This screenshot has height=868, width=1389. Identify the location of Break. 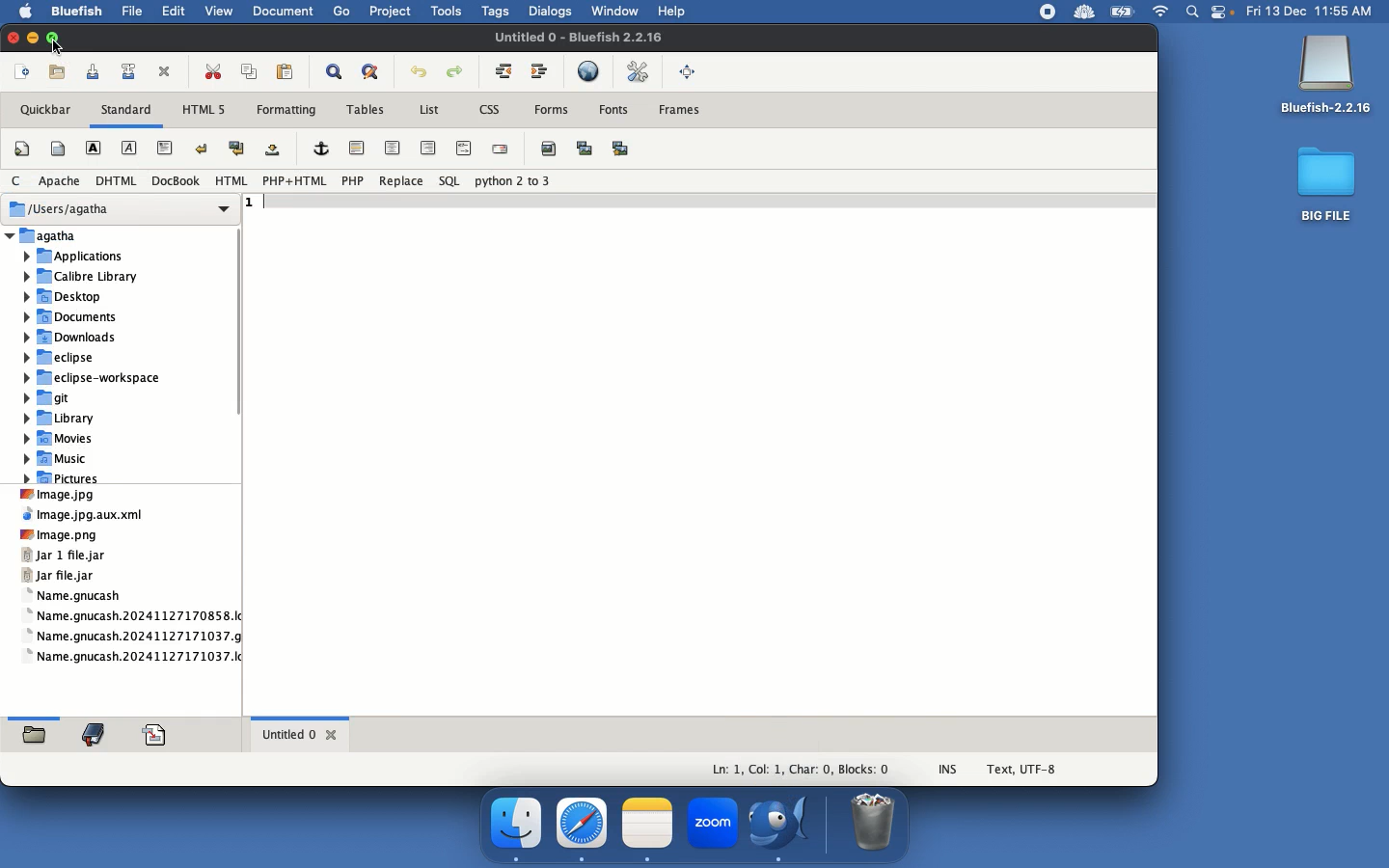
(203, 147).